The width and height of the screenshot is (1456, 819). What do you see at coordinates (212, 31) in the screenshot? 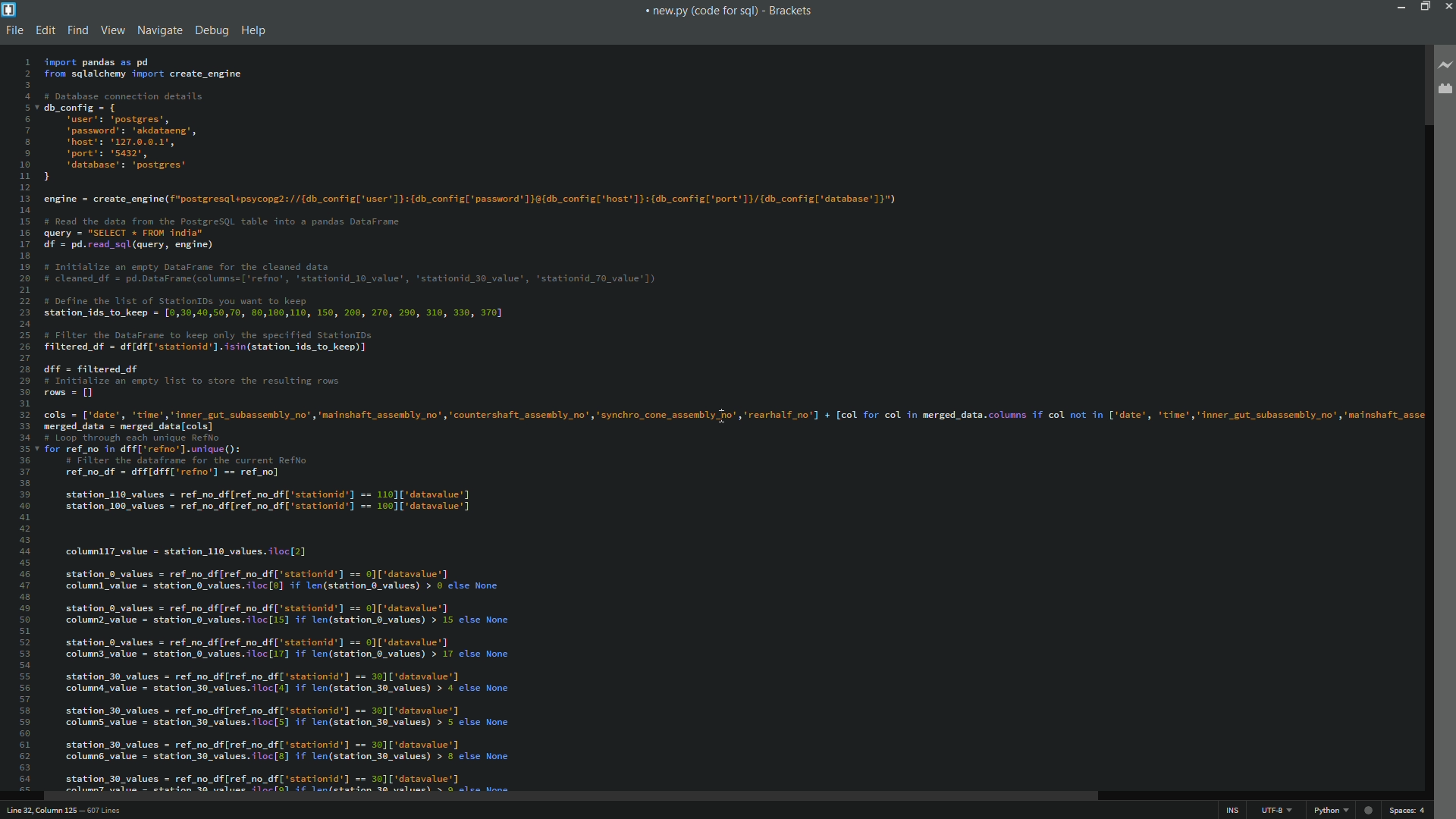
I see `debug menu` at bounding box center [212, 31].